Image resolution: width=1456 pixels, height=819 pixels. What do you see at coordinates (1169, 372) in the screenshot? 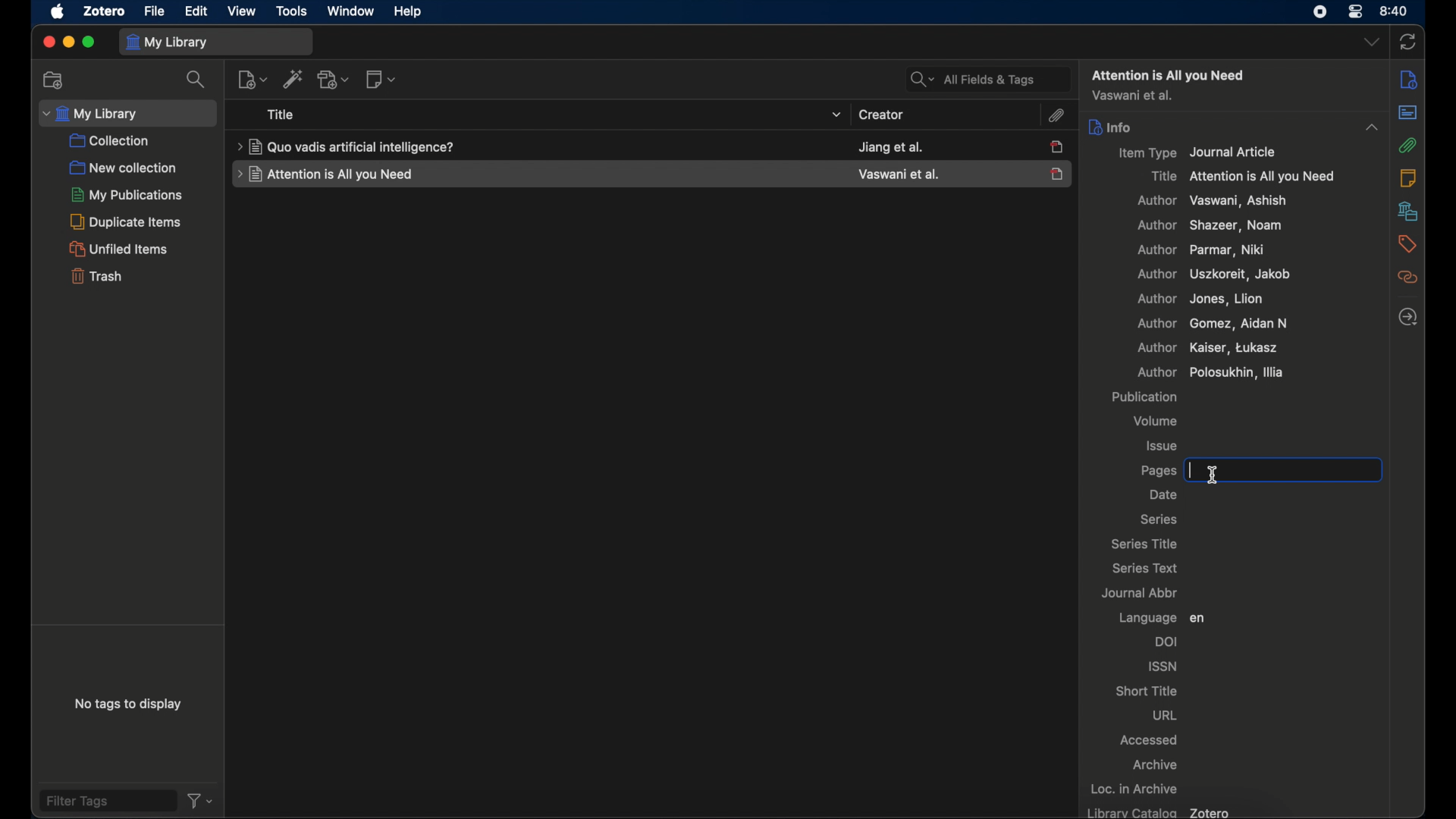
I see `author polosukhin, illia` at bounding box center [1169, 372].